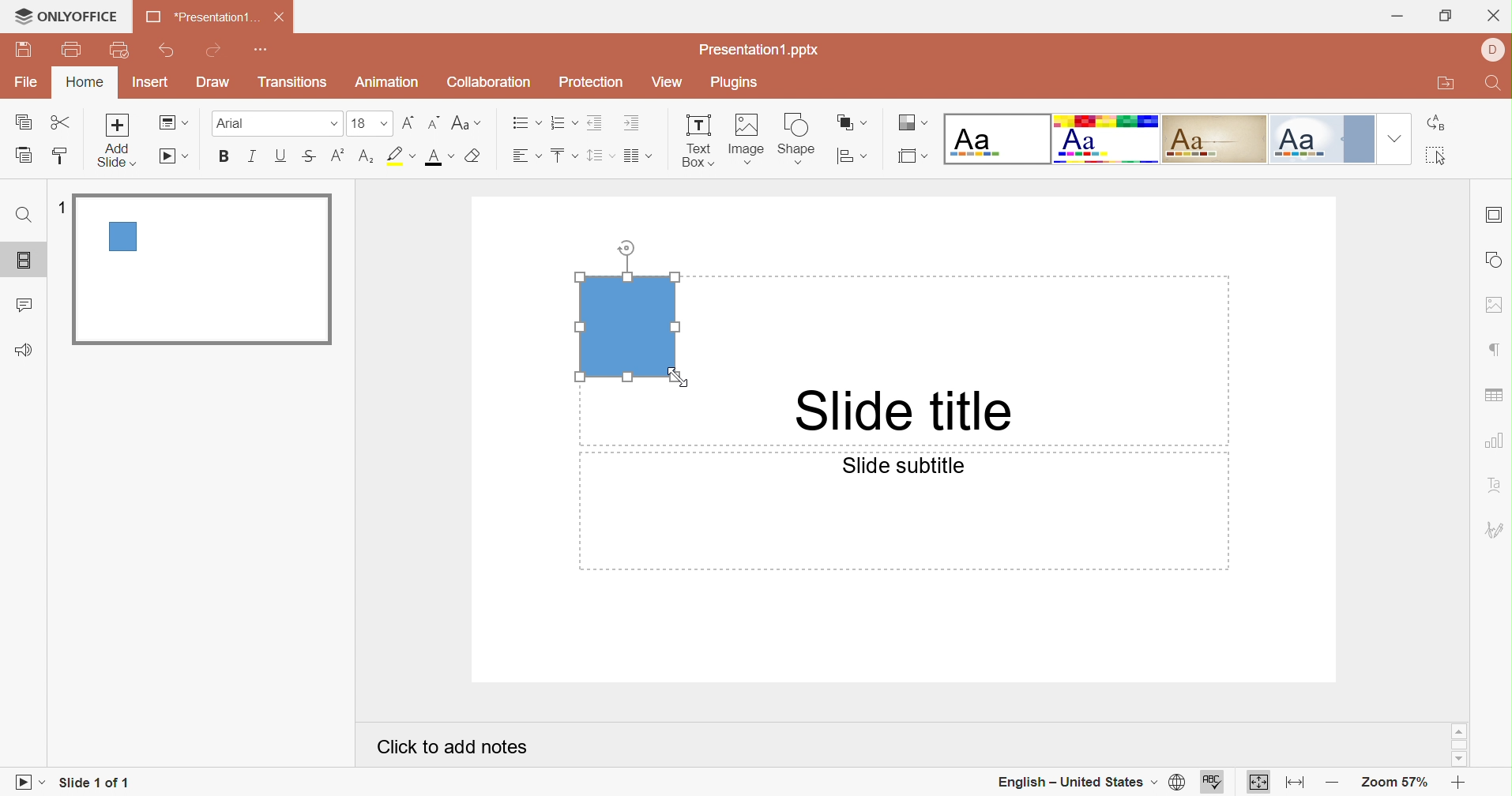  Describe the element at coordinates (23, 123) in the screenshot. I see `Copy` at that location.